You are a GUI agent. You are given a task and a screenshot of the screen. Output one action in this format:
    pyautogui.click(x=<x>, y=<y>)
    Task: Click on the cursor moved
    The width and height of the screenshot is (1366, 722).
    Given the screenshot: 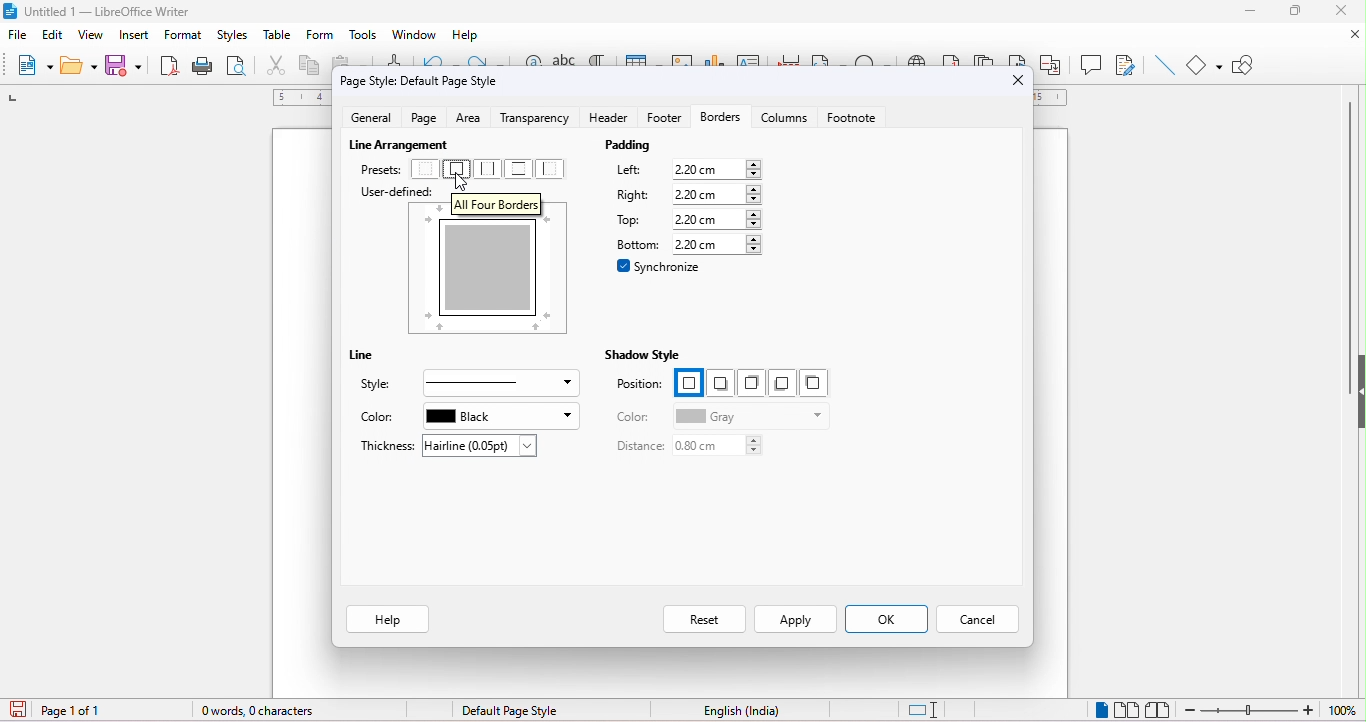 What is the action you would take?
    pyautogui.click(x=461, y=183)
    